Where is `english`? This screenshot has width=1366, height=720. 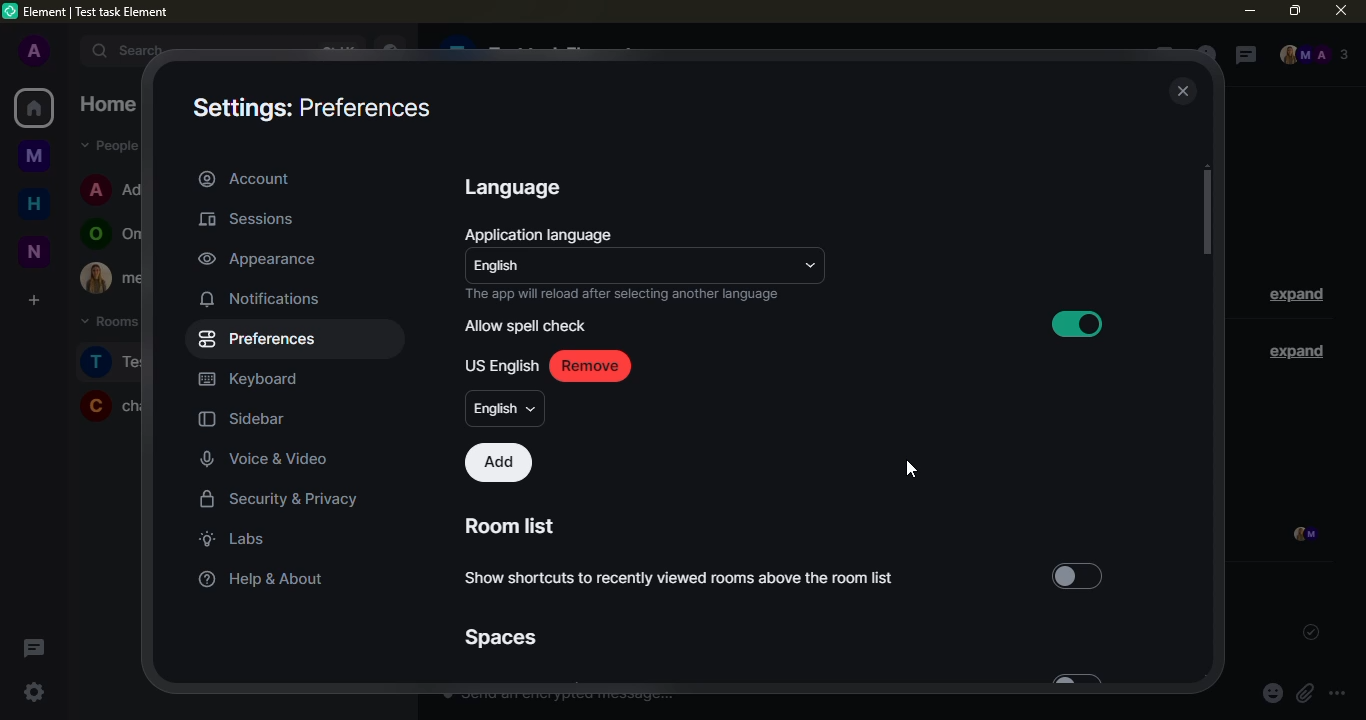 english is located at coordinates (507, 409).